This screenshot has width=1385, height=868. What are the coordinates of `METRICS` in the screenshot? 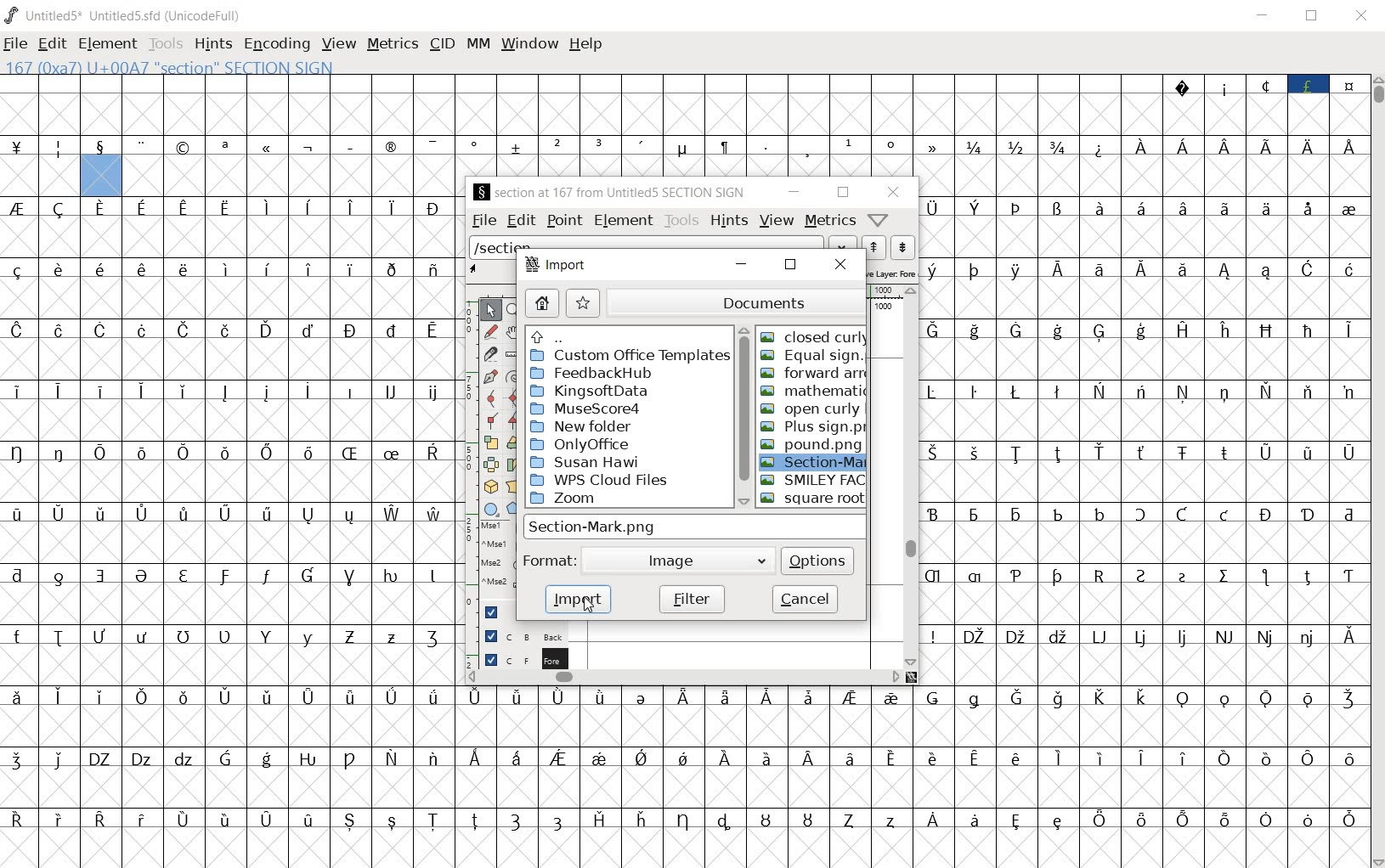 It's located at (394, 45).